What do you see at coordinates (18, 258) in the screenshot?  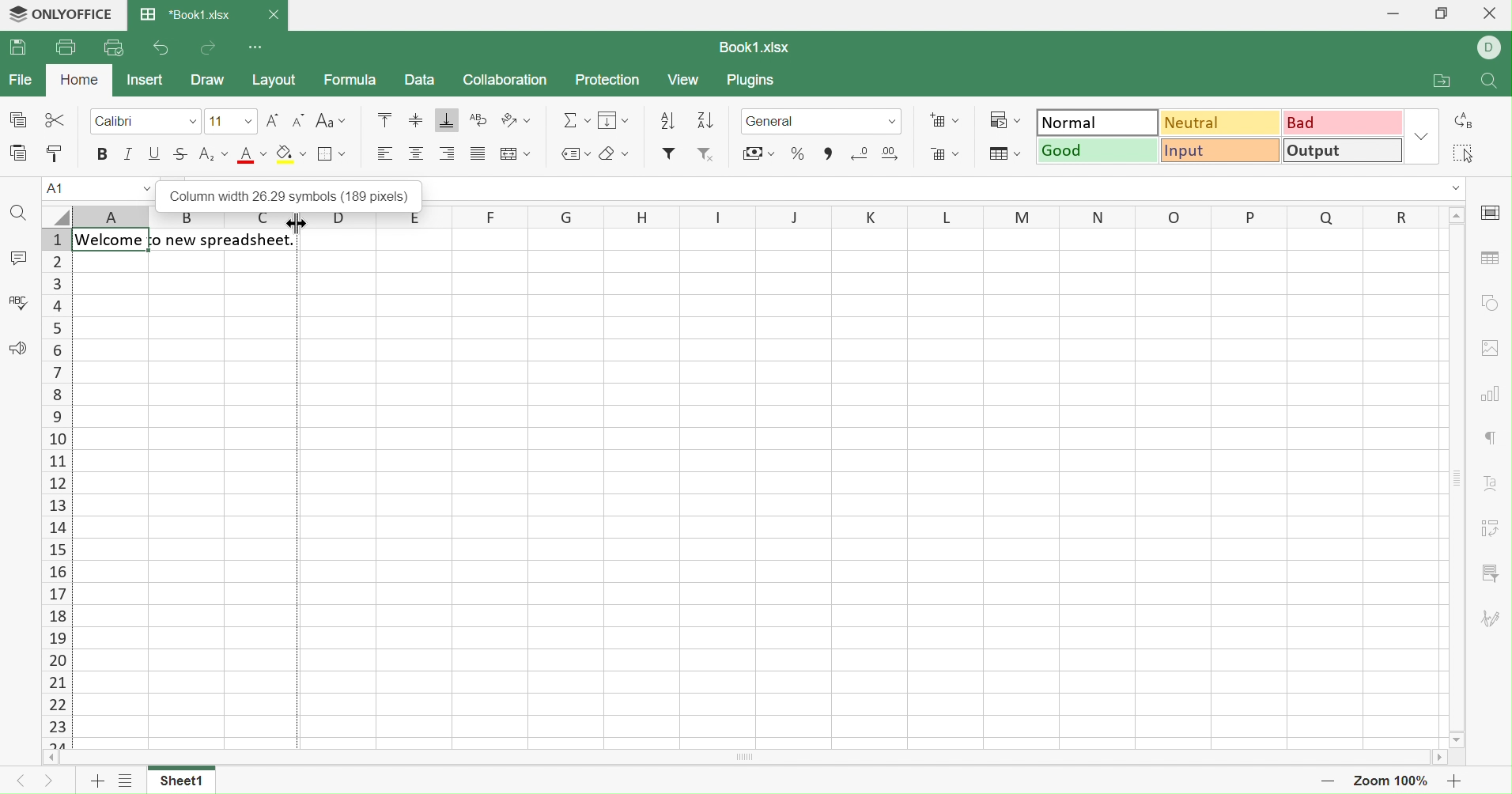 I see `Comments` at bounding box center [18, 258].